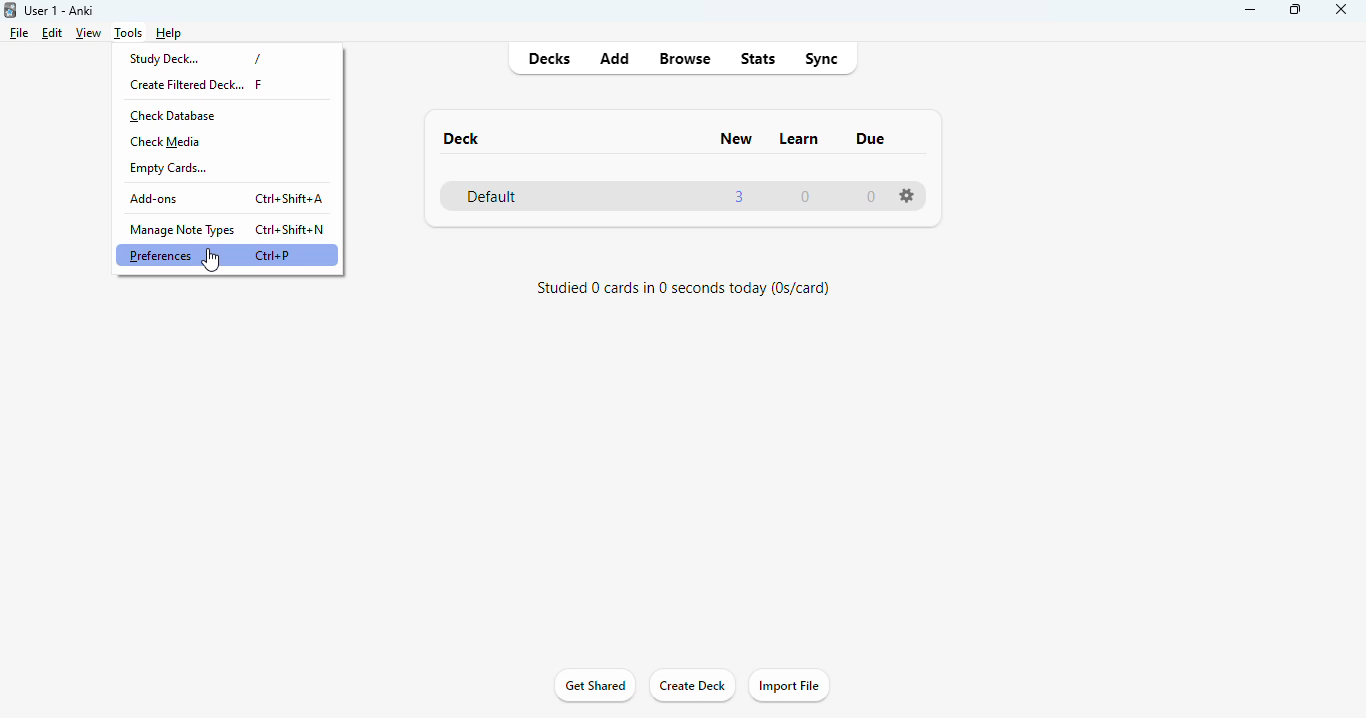 The height and width of the screenshot is (718, 1366). Describe the element at coordinates (9, 10) in the screenshot. I see `logo` at that location.